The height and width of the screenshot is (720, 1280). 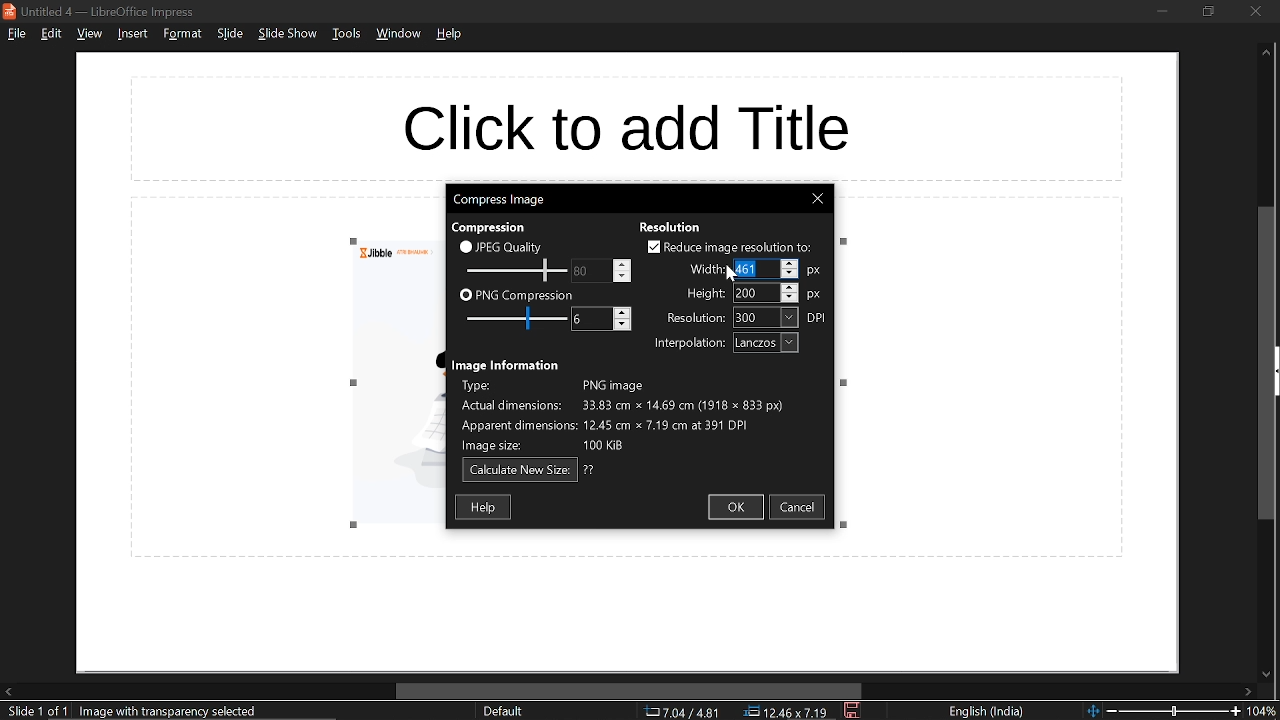 I want to click on selected image, so click(x=173, y=711).